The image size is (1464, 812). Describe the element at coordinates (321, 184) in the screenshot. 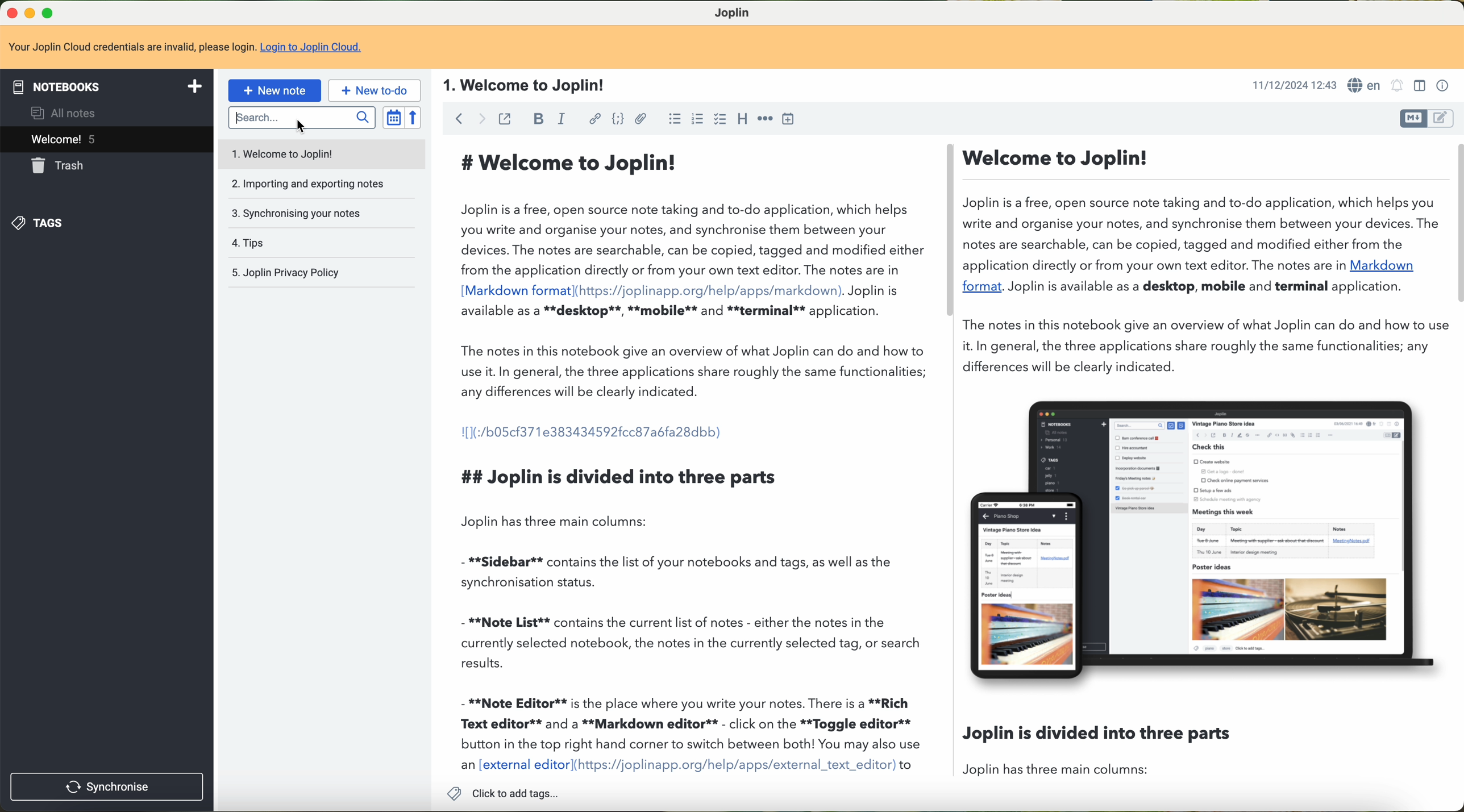

I see `importing and exporting notes` at that location.